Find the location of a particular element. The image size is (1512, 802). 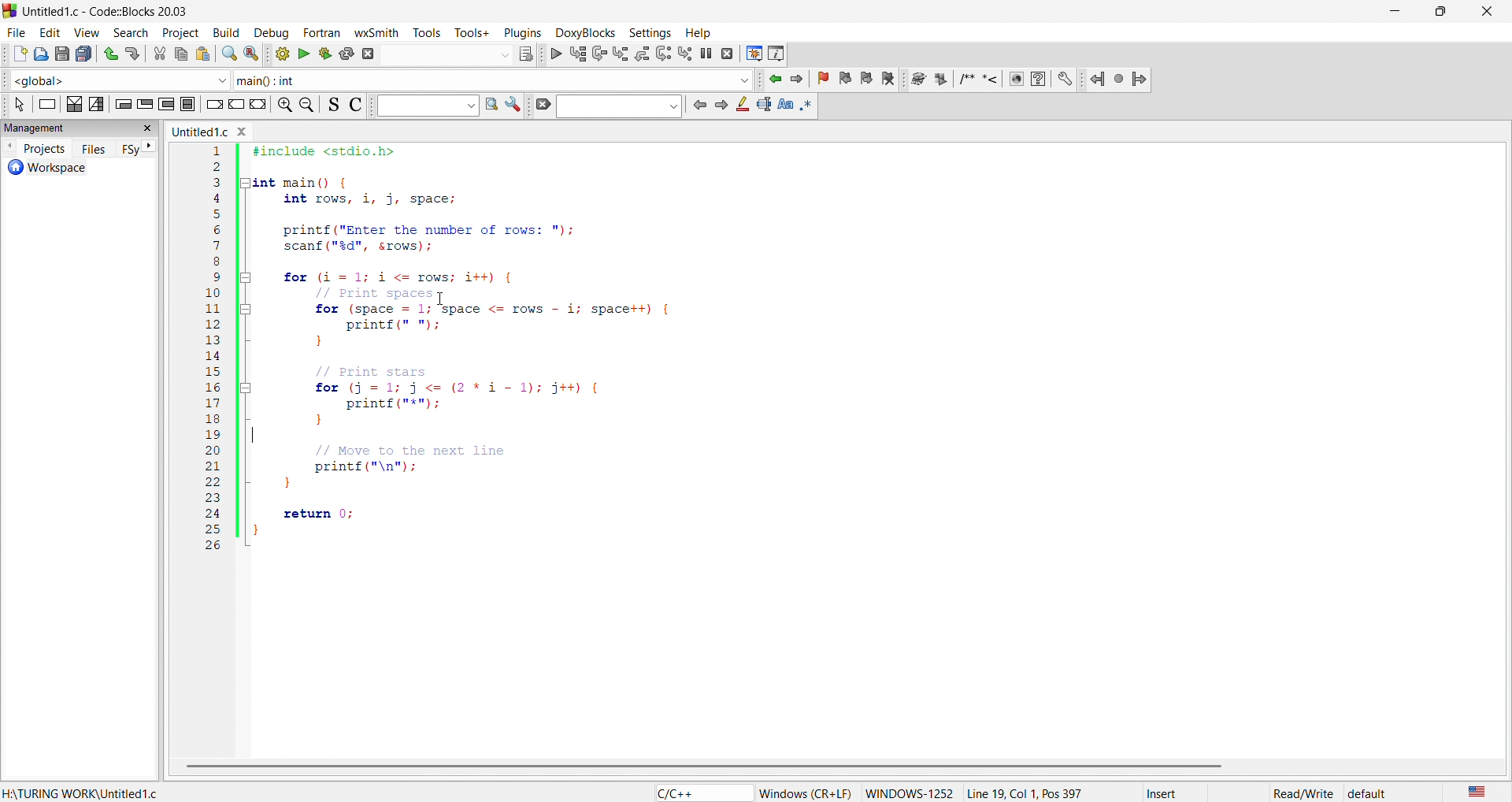

counting loop is located at coordinates (167, 103).